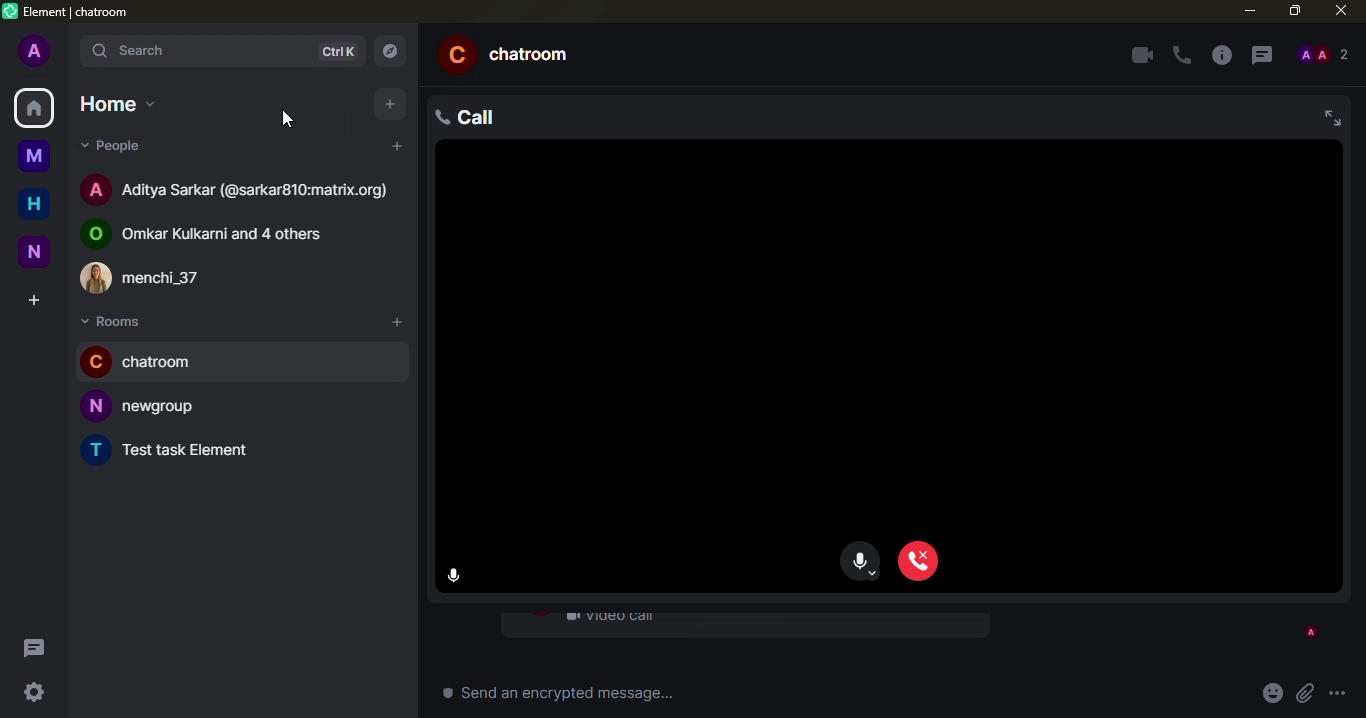 This screenshot has width=1366, height=718. I want to click on voice call, so click(1180, 56).